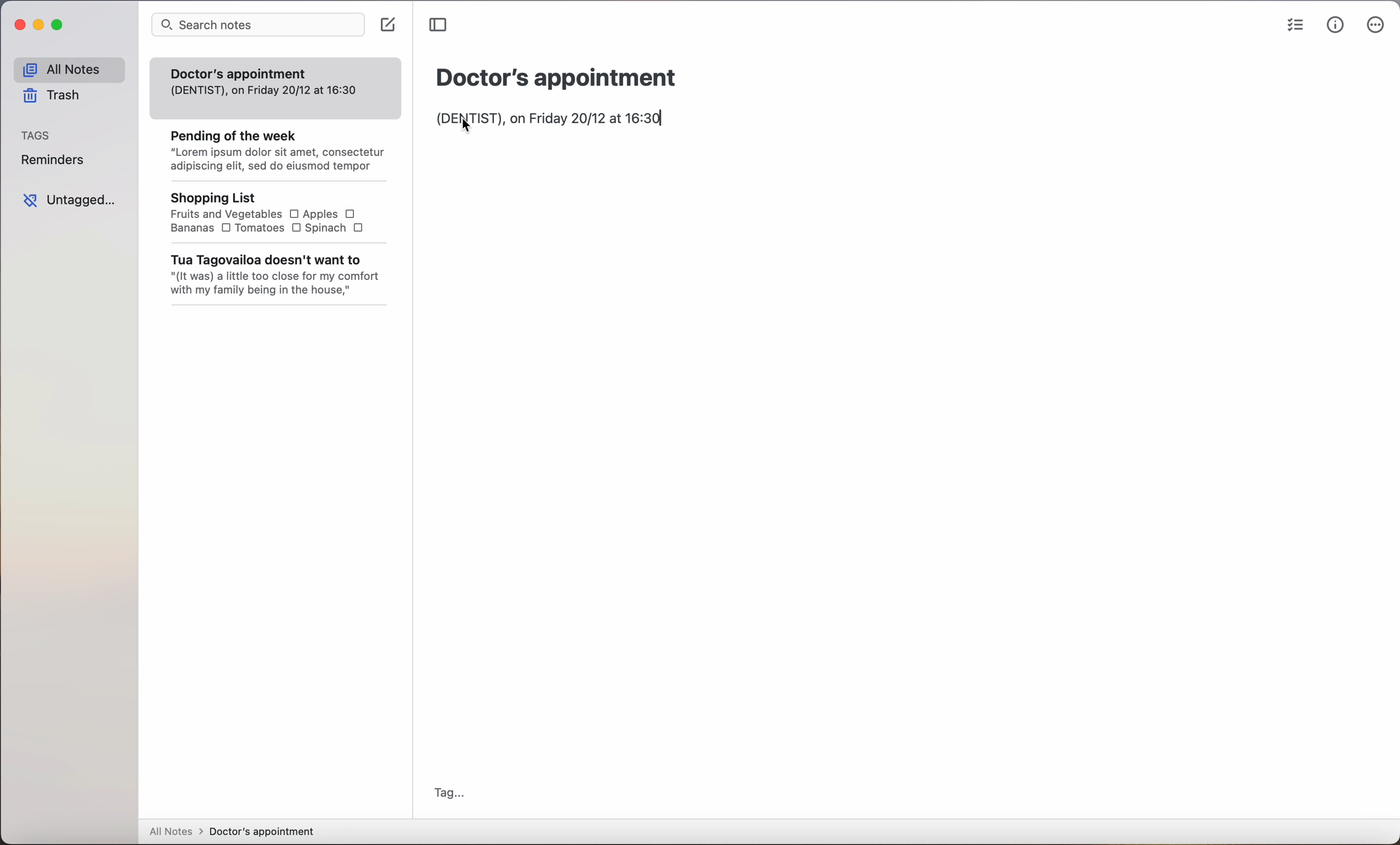 The height and width of the screenshot is (845, 1400). I want to click on metrics, so click(1335, 26).